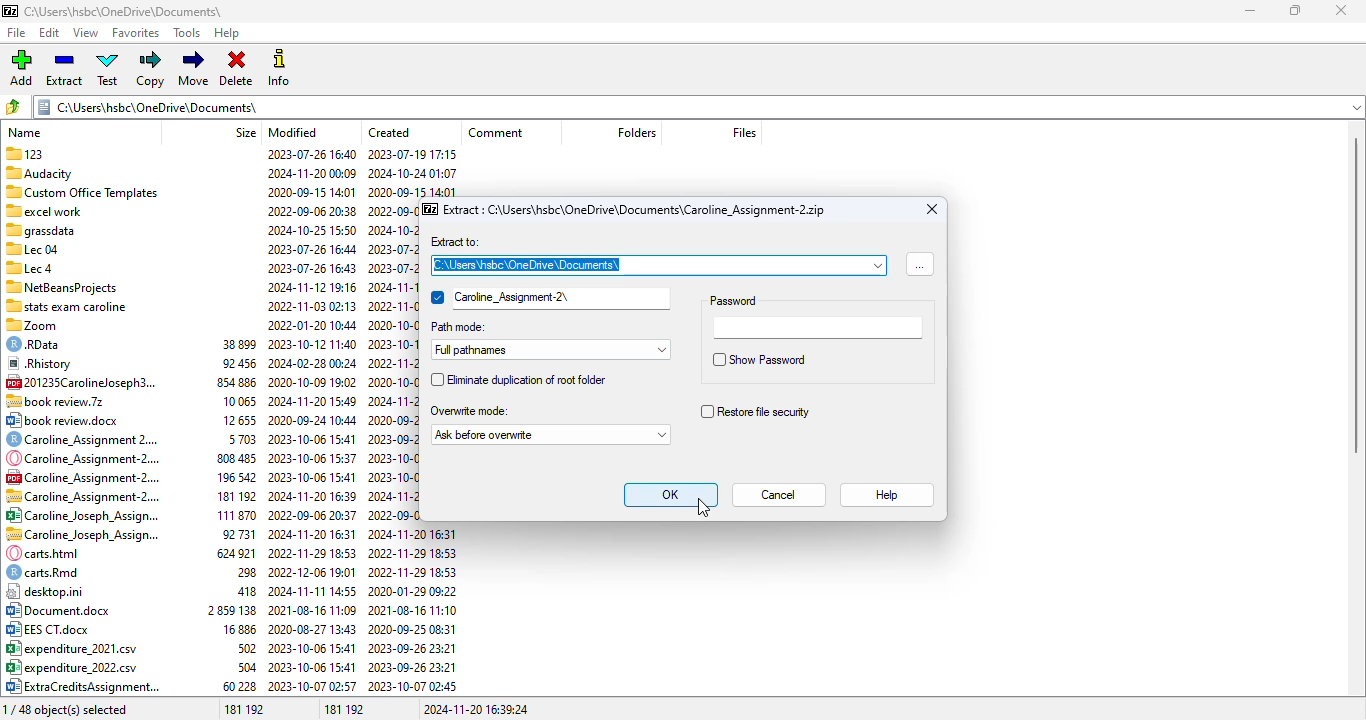 This screenshot has width=1366, height=720. I want to click on folder, so click(549, 299).